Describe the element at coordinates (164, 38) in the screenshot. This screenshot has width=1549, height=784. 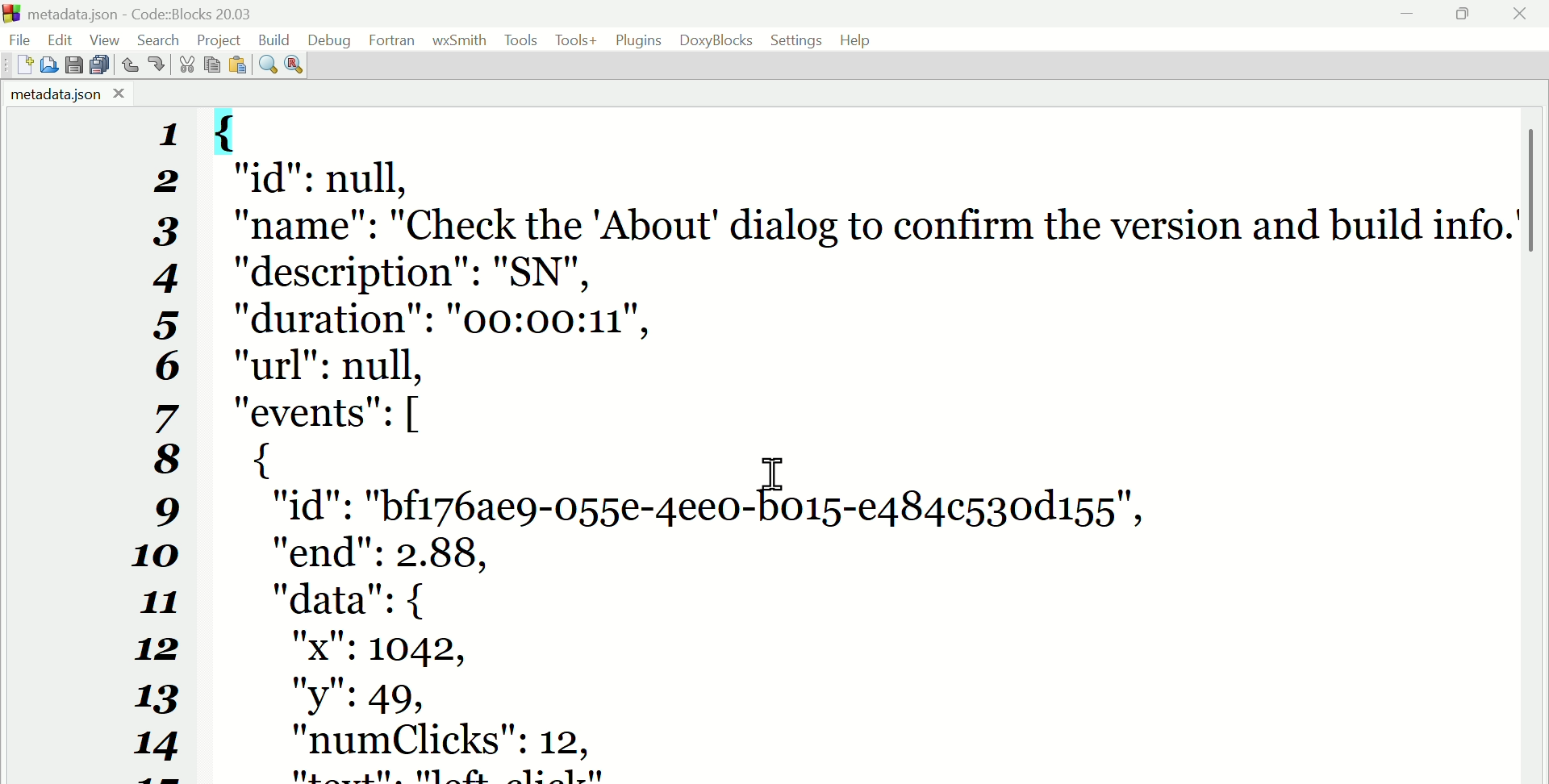
I see `Search` at that location.